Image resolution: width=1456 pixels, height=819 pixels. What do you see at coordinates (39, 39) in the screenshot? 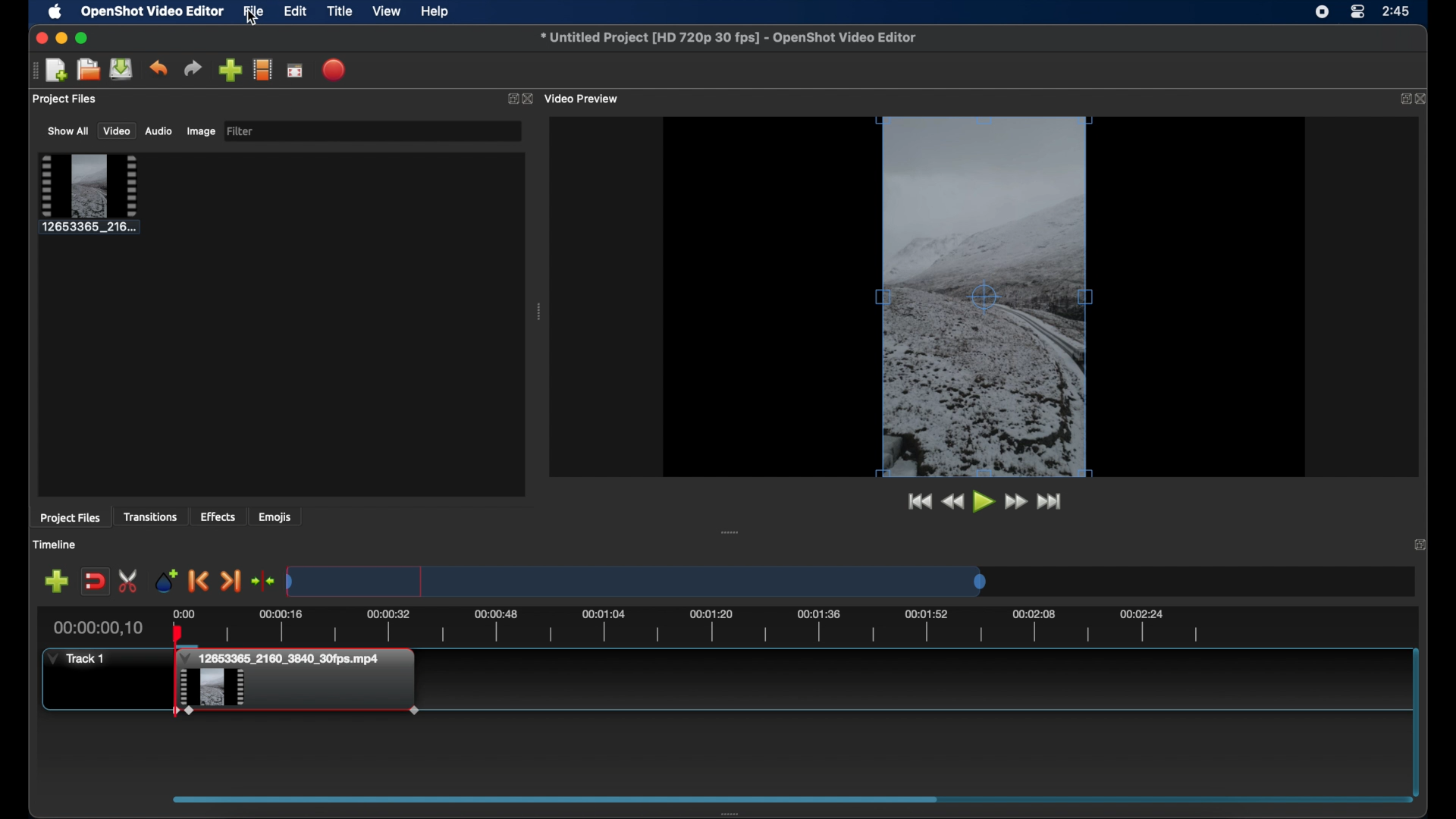
I see `close` at bounding box center [39, 39].